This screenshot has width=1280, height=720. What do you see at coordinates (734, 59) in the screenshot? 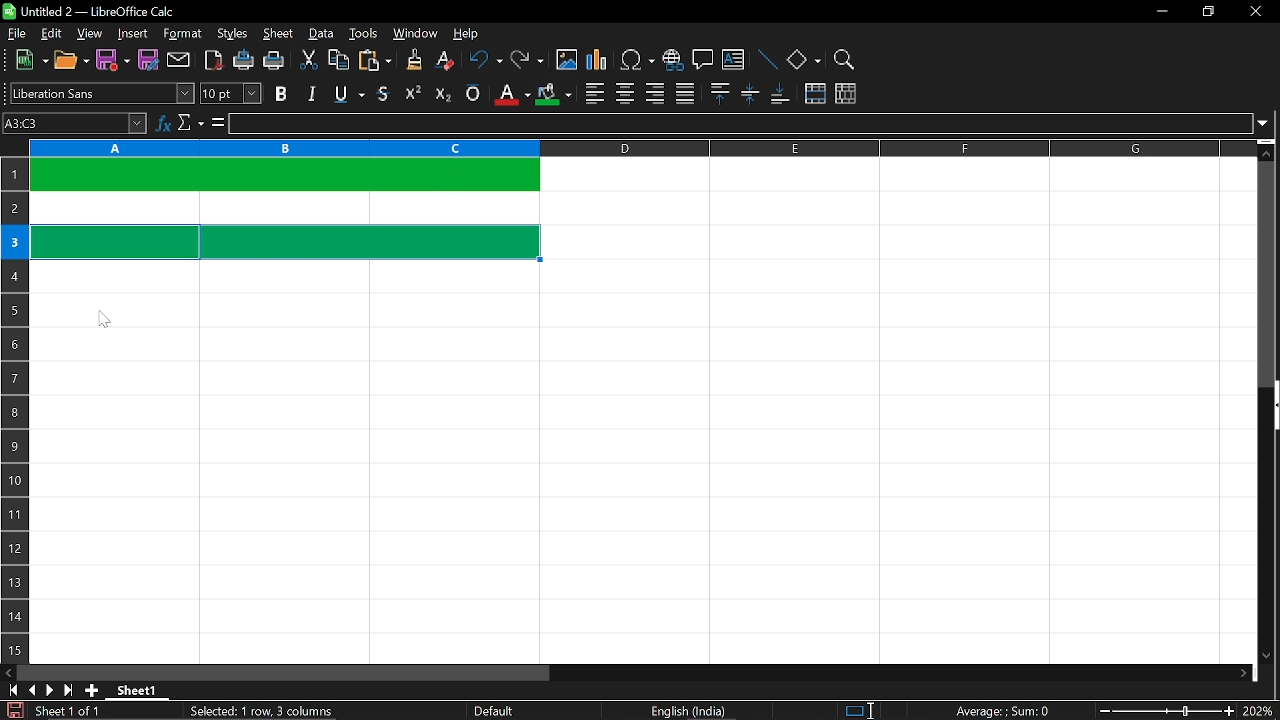
I see `insert text` at bounding box center [734, 59].